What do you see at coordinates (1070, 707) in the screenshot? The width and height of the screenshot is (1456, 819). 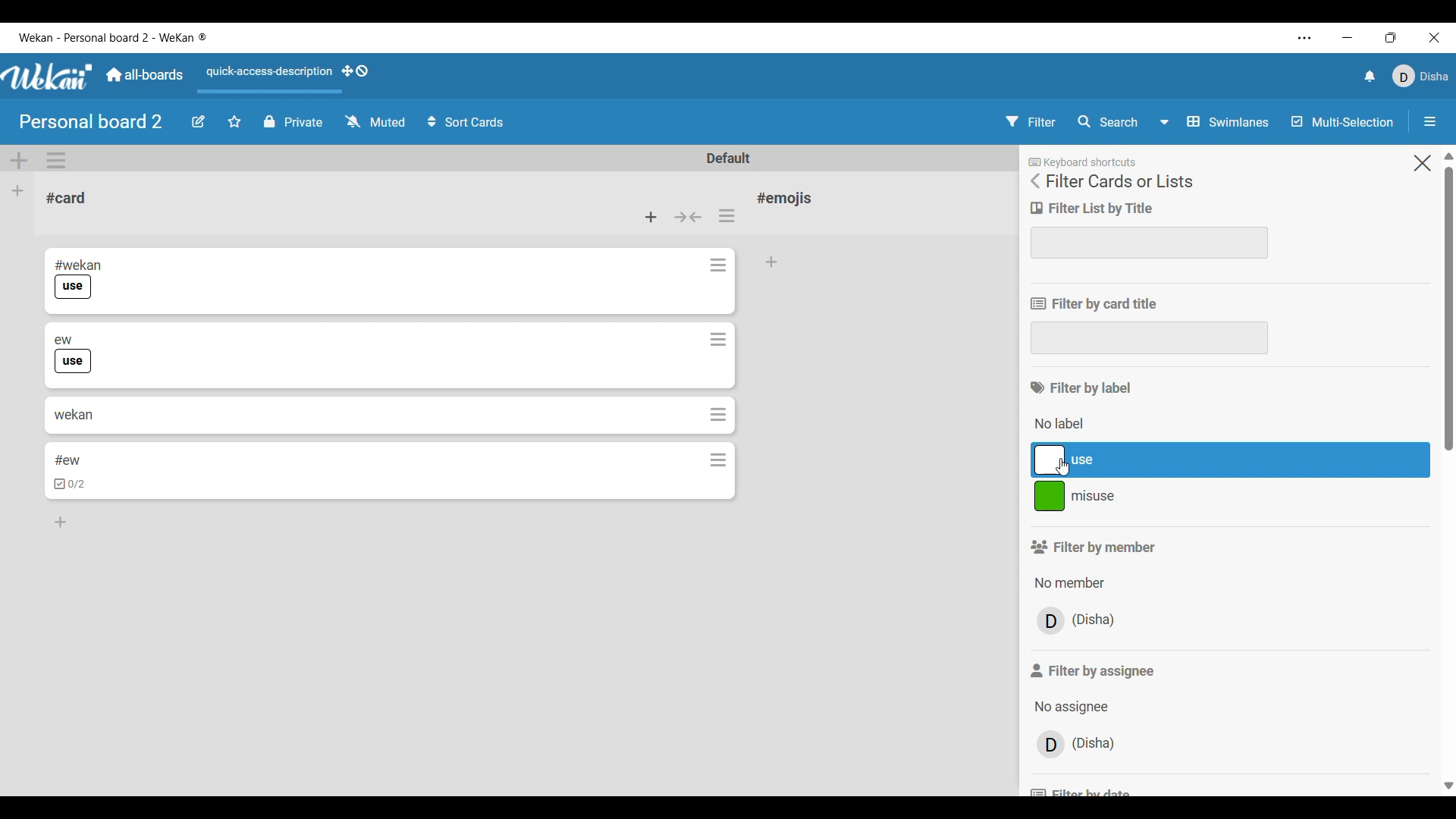 I see `Options to choose from` at bounding box center [1070, 707].